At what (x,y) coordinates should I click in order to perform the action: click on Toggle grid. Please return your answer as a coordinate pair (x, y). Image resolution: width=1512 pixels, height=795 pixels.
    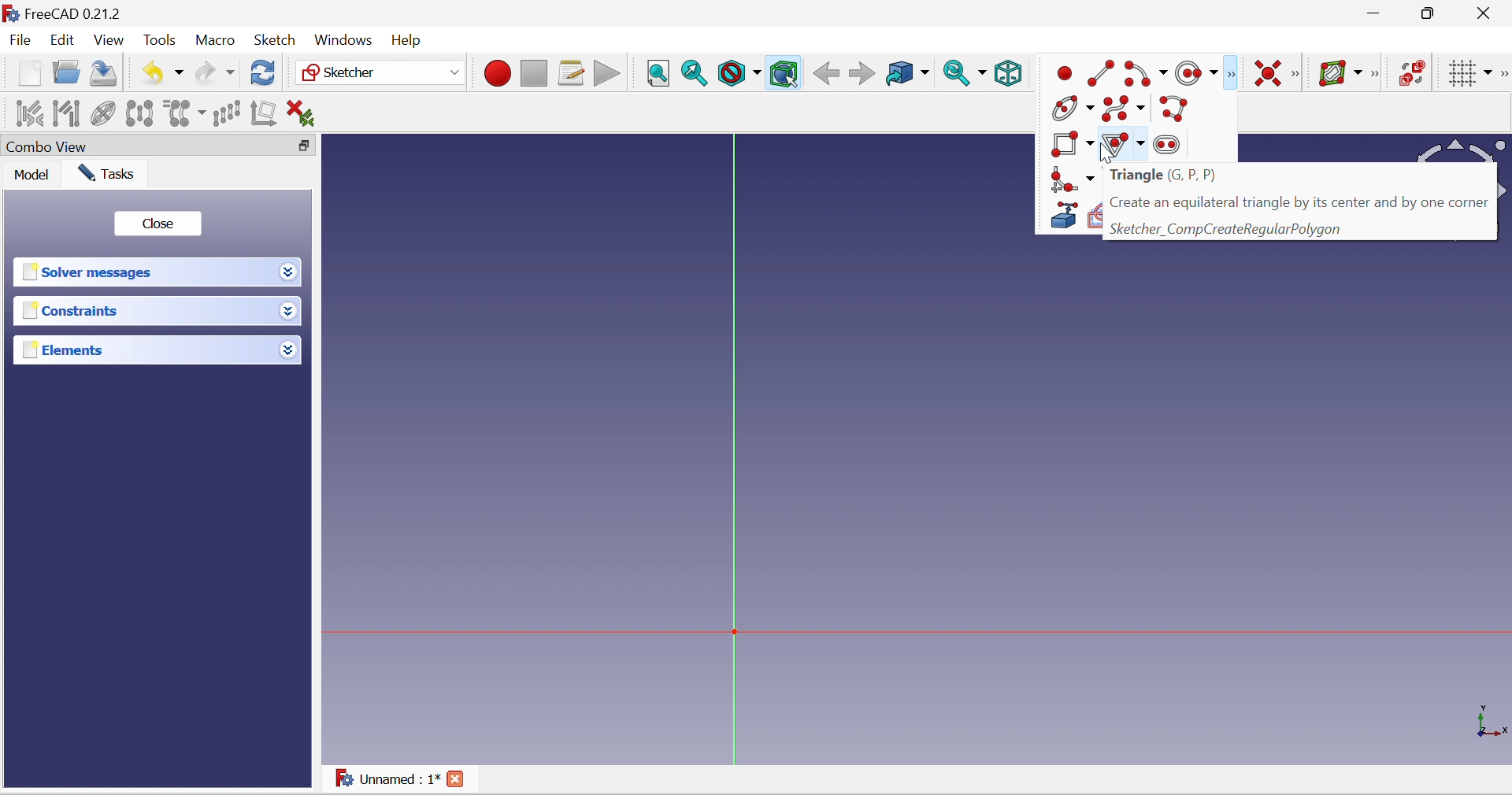
    Looking at the image, I should click on (1470, 73).